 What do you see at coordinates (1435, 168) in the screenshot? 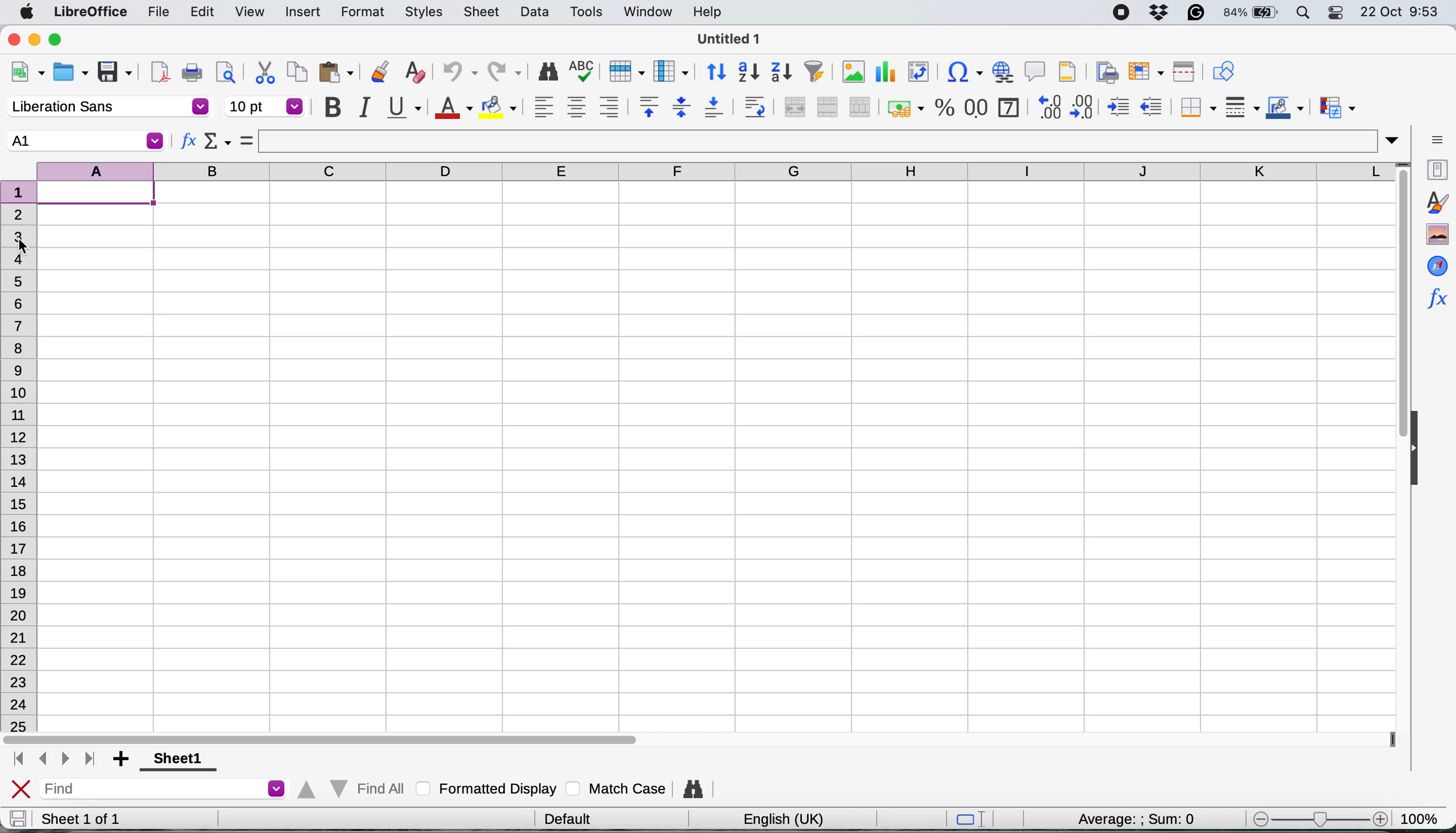
I see `properties` at bounding box center [1435, 168].